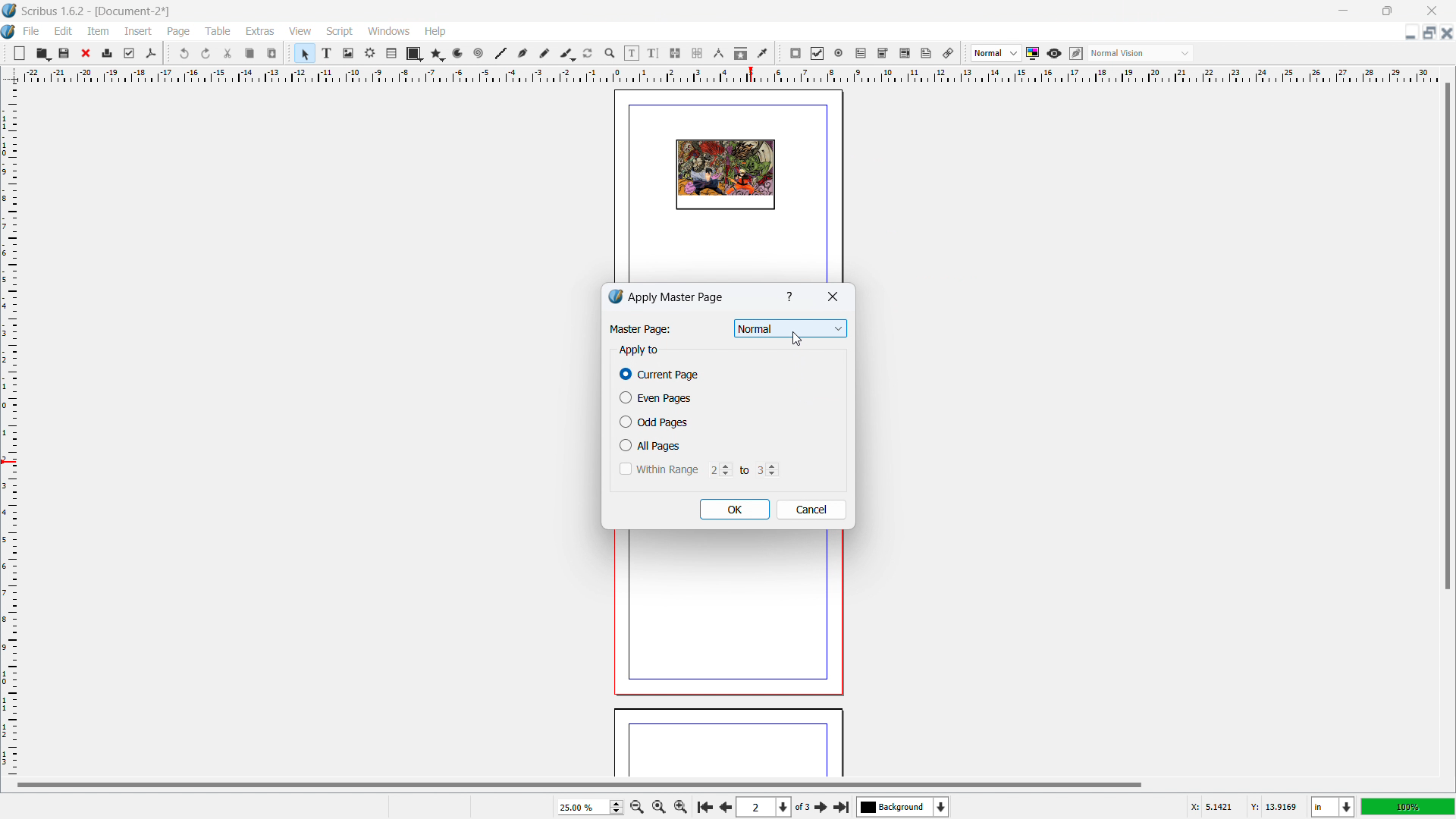 The height and width of the screenshot is (819, 1456). Describe the element at coordinates (723, 618) in the screenshot. I see `page` at that location.